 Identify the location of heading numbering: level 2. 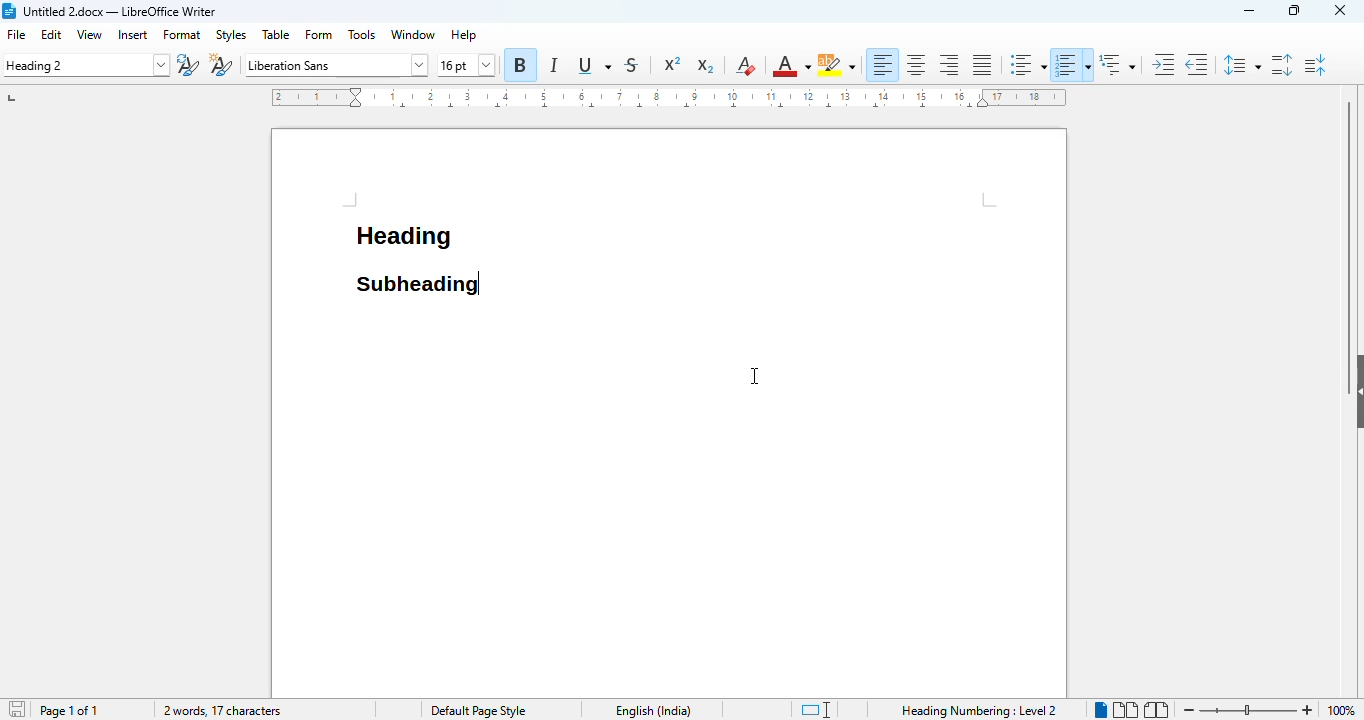
(978, 710).